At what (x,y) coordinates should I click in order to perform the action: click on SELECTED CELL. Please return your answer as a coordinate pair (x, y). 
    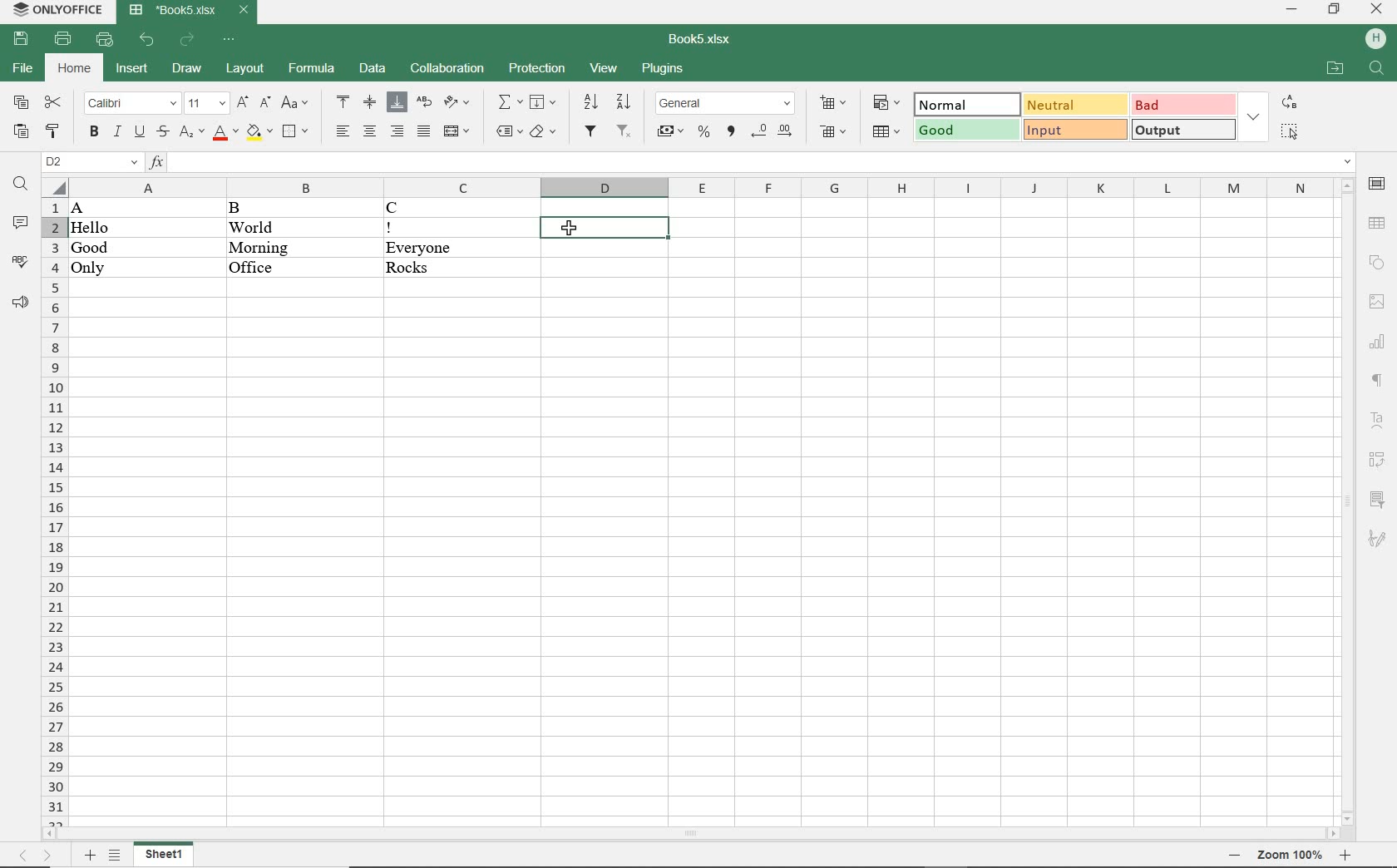
    Looking at the image, I should click on (610, 228).